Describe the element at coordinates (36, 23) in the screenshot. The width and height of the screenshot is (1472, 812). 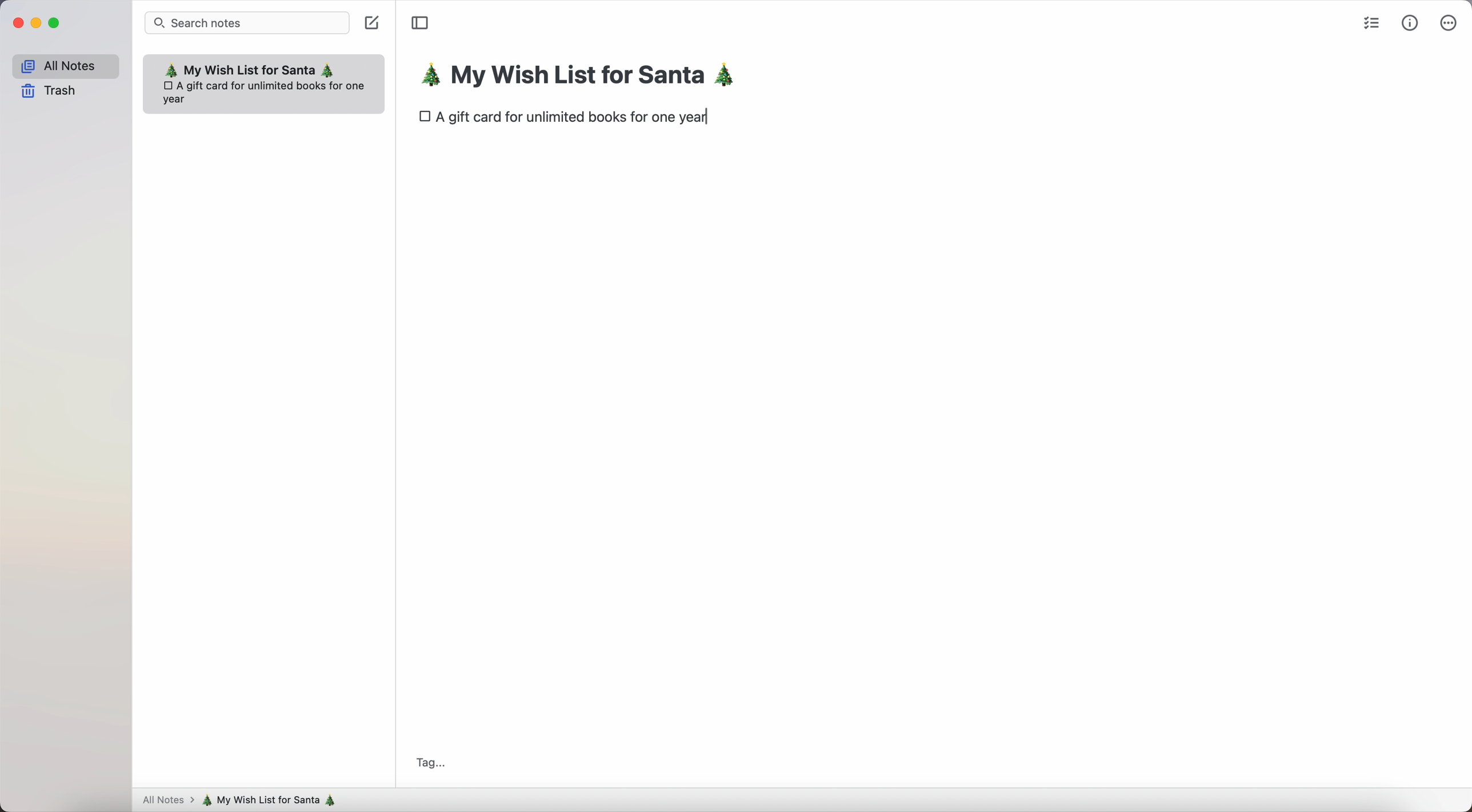
I see `minimize Simplenote` at that location.